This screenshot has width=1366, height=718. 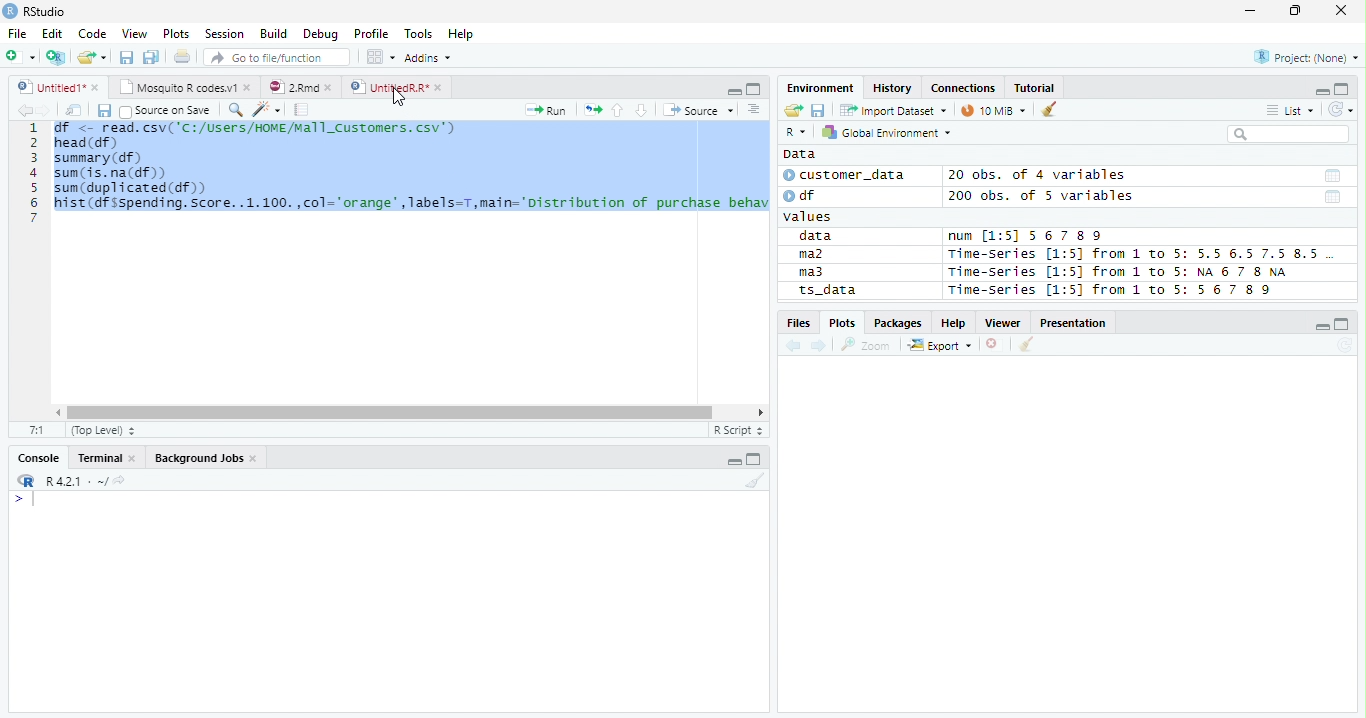 I want to click on Code, so click(x=94, y=34).